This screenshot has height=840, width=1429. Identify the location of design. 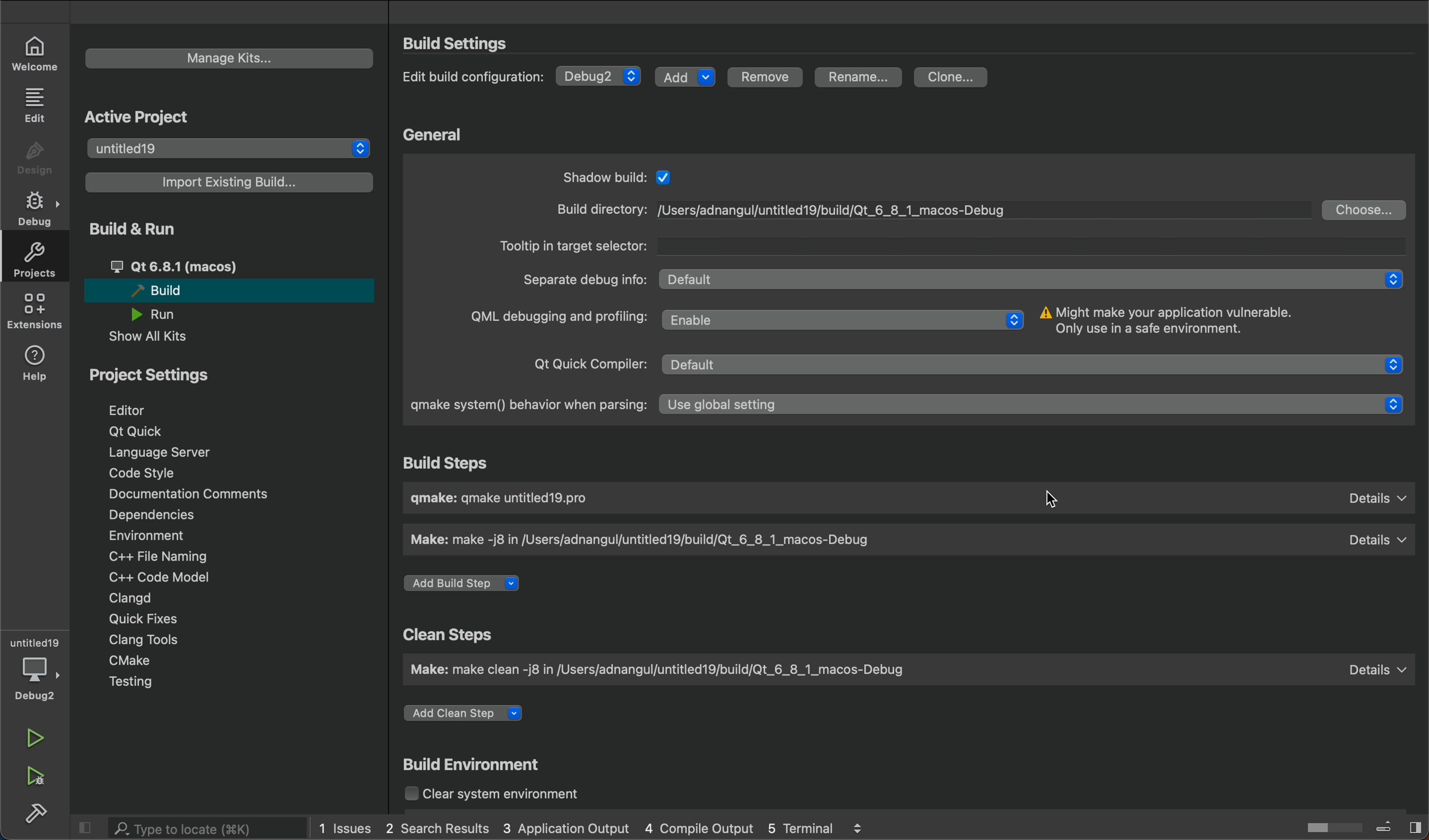
(35, 159).